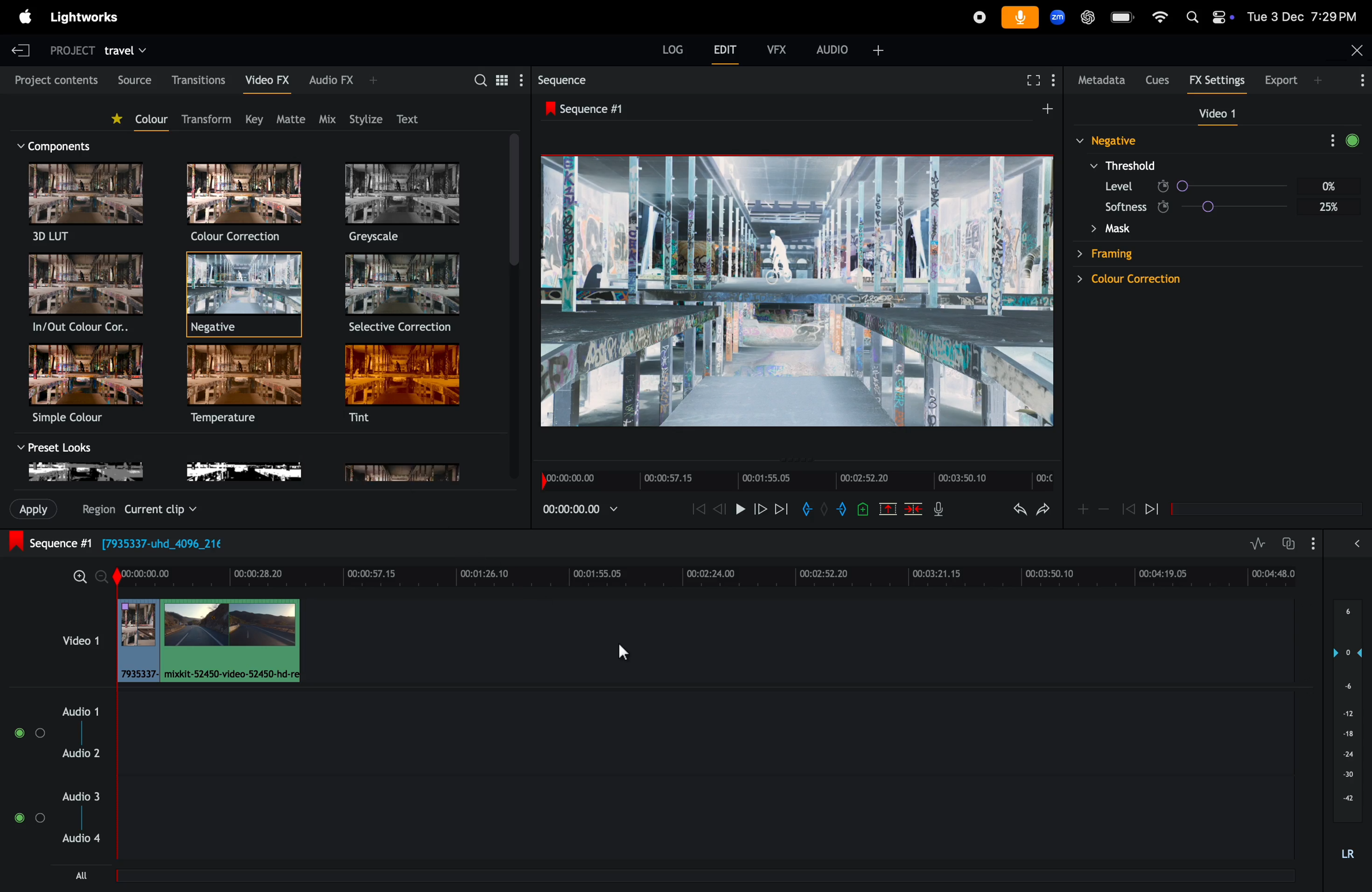  Describe the element at coordinates (1303, 17) in the screenshot. I see `date and time` at that location.